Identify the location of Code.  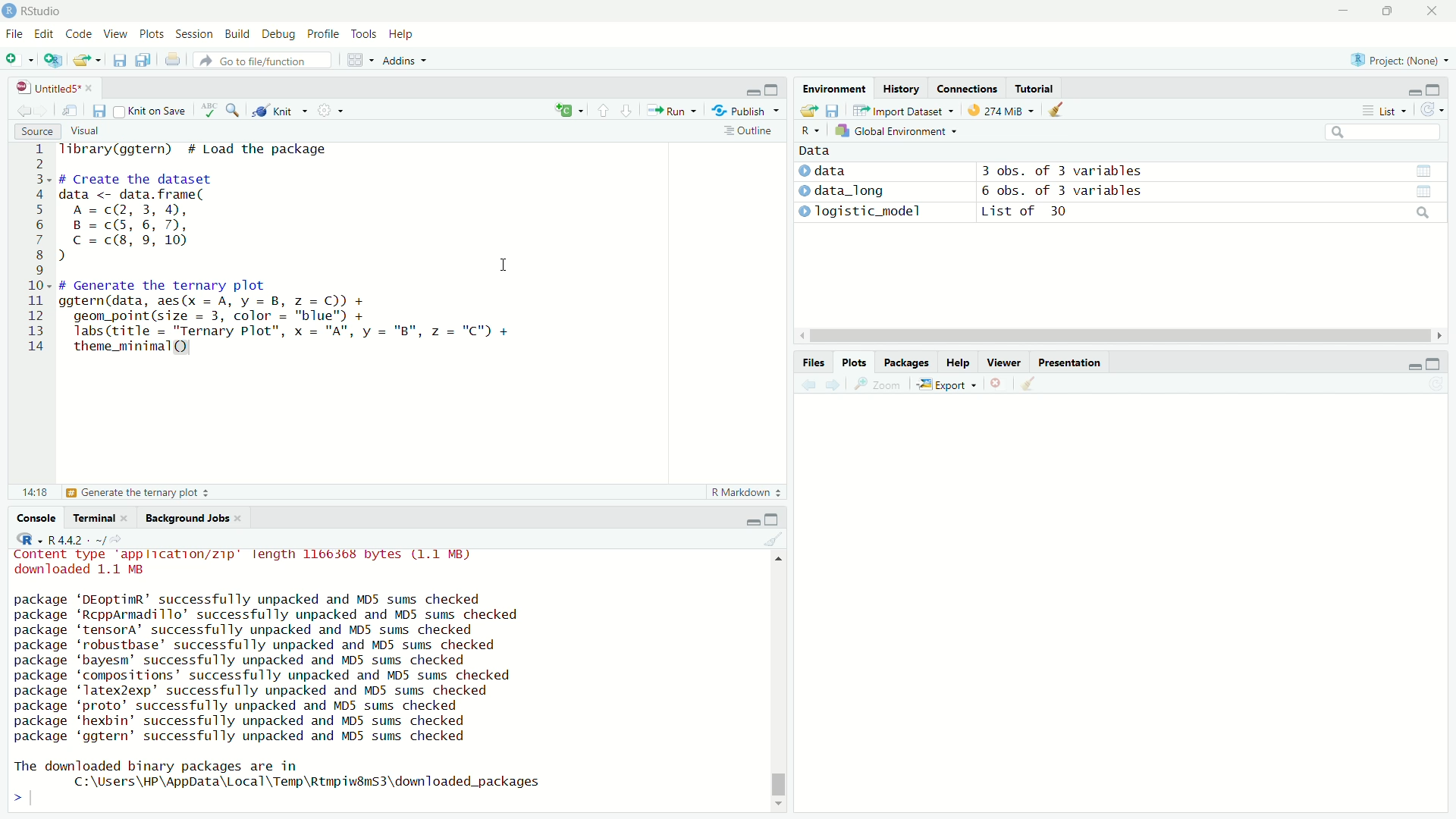
(76, 34).